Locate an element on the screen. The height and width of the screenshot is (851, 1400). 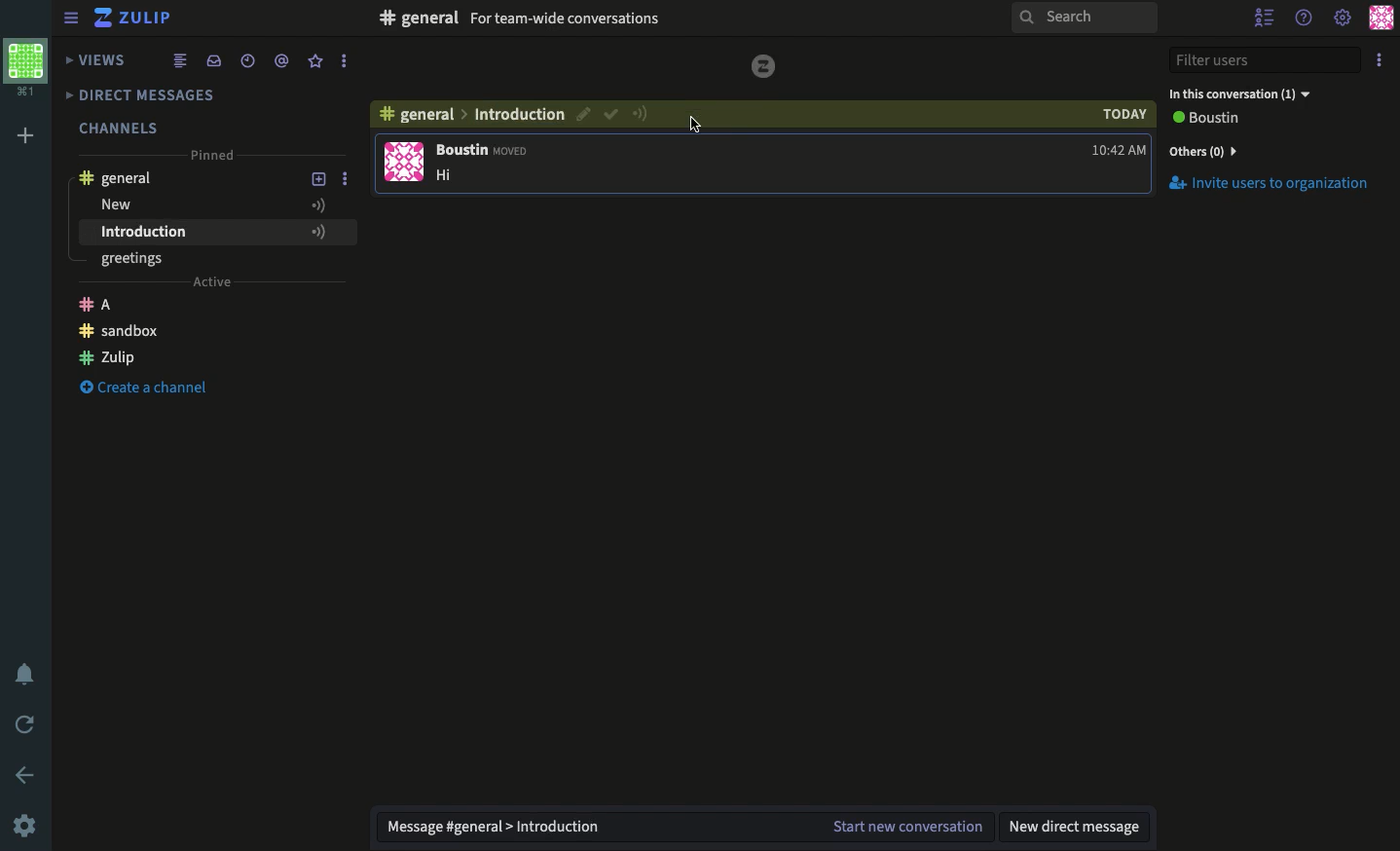
Pinned is located at coordinates (216, 157).